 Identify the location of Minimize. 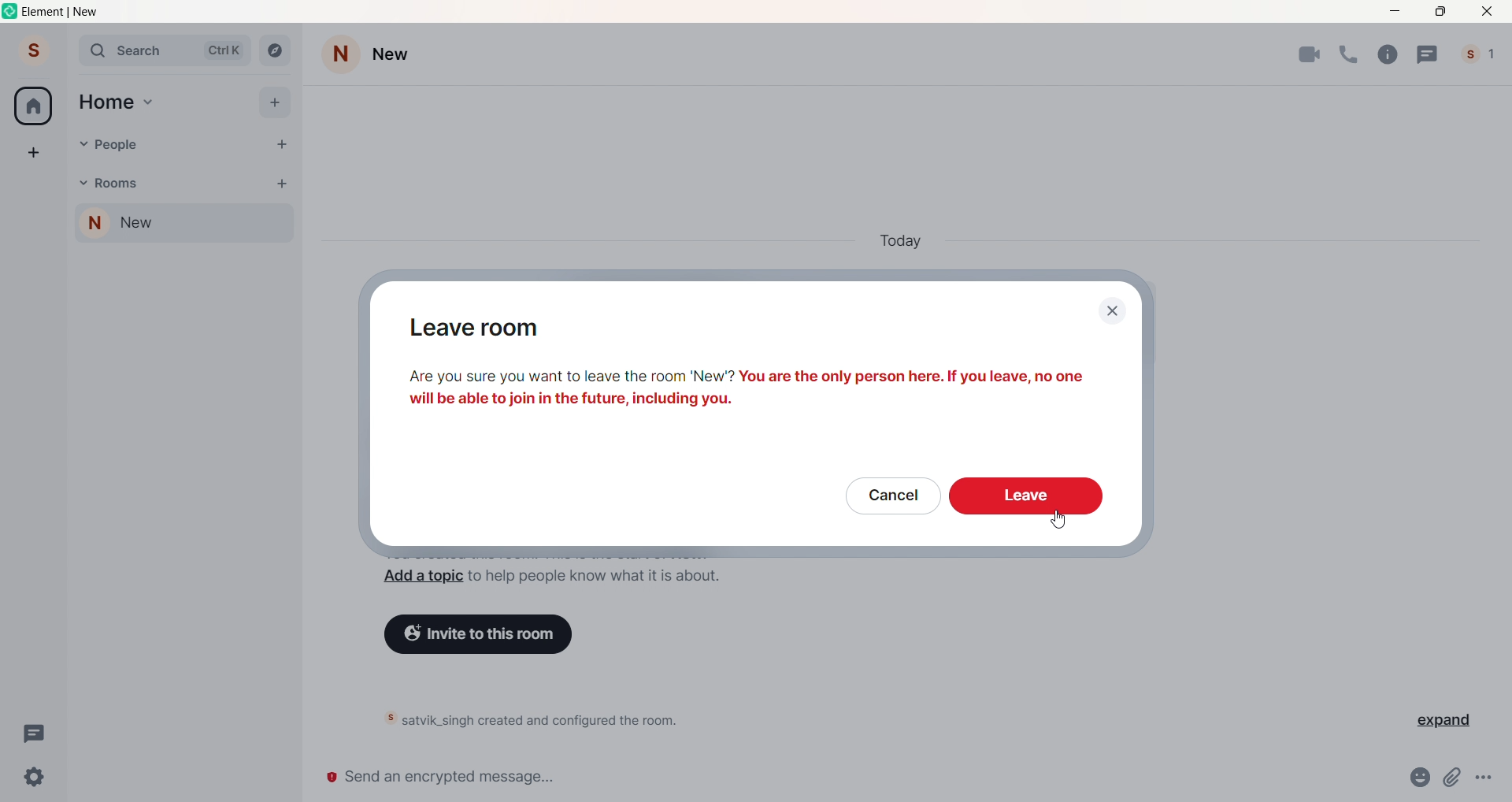
(1397, 12).